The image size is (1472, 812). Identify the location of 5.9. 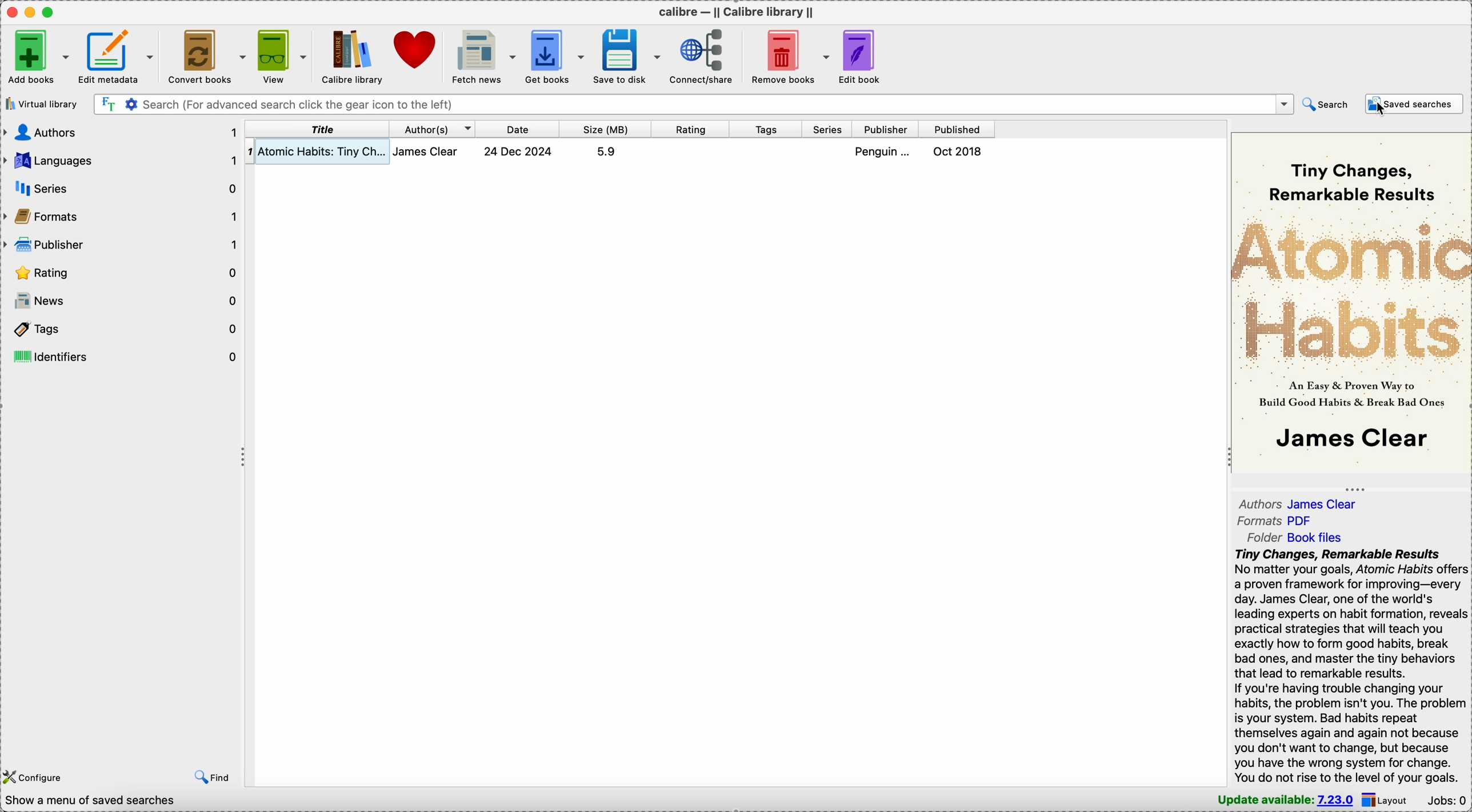
(606, 151).